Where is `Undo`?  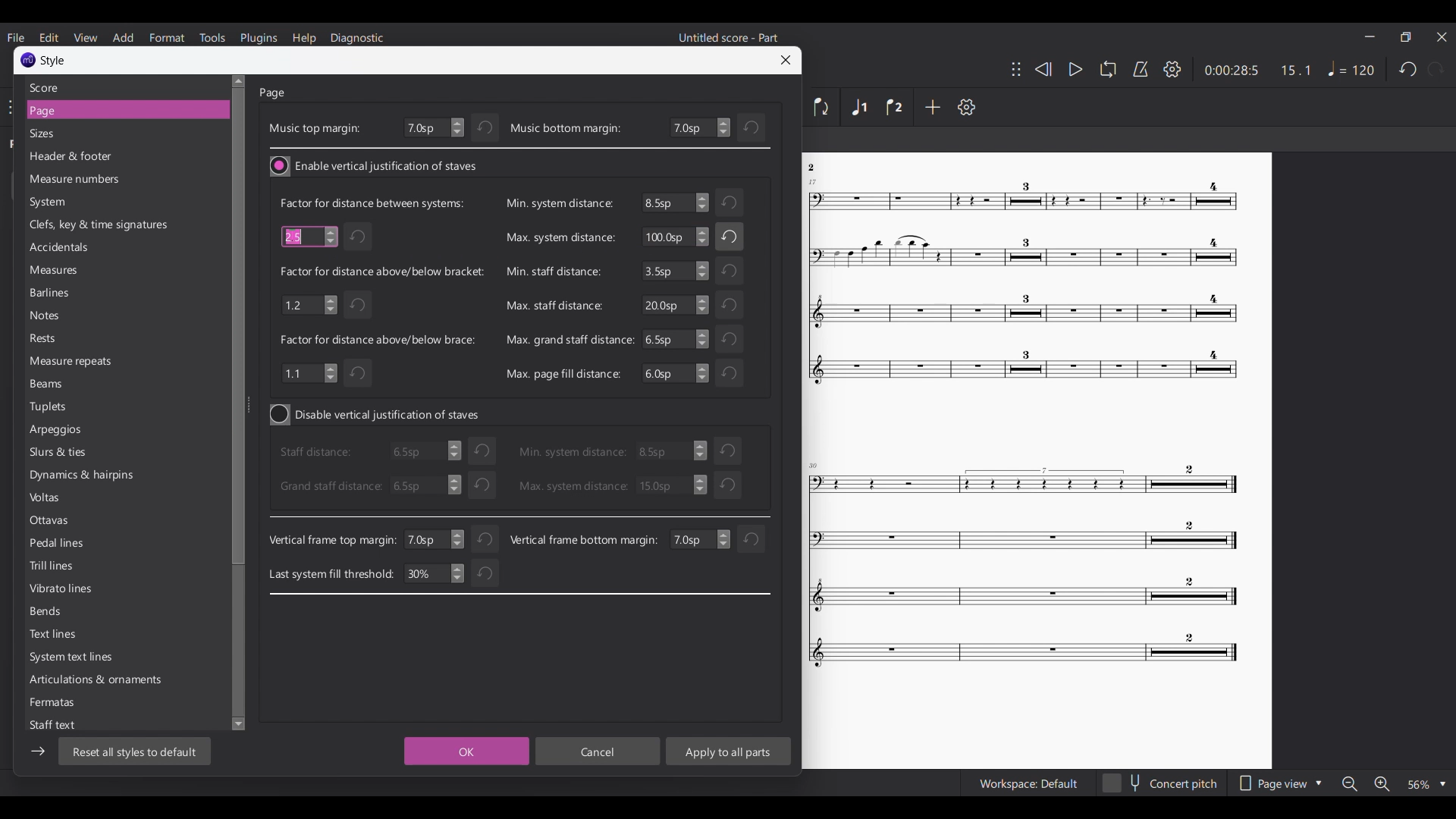 Undo is located at coordinates (732, 237).